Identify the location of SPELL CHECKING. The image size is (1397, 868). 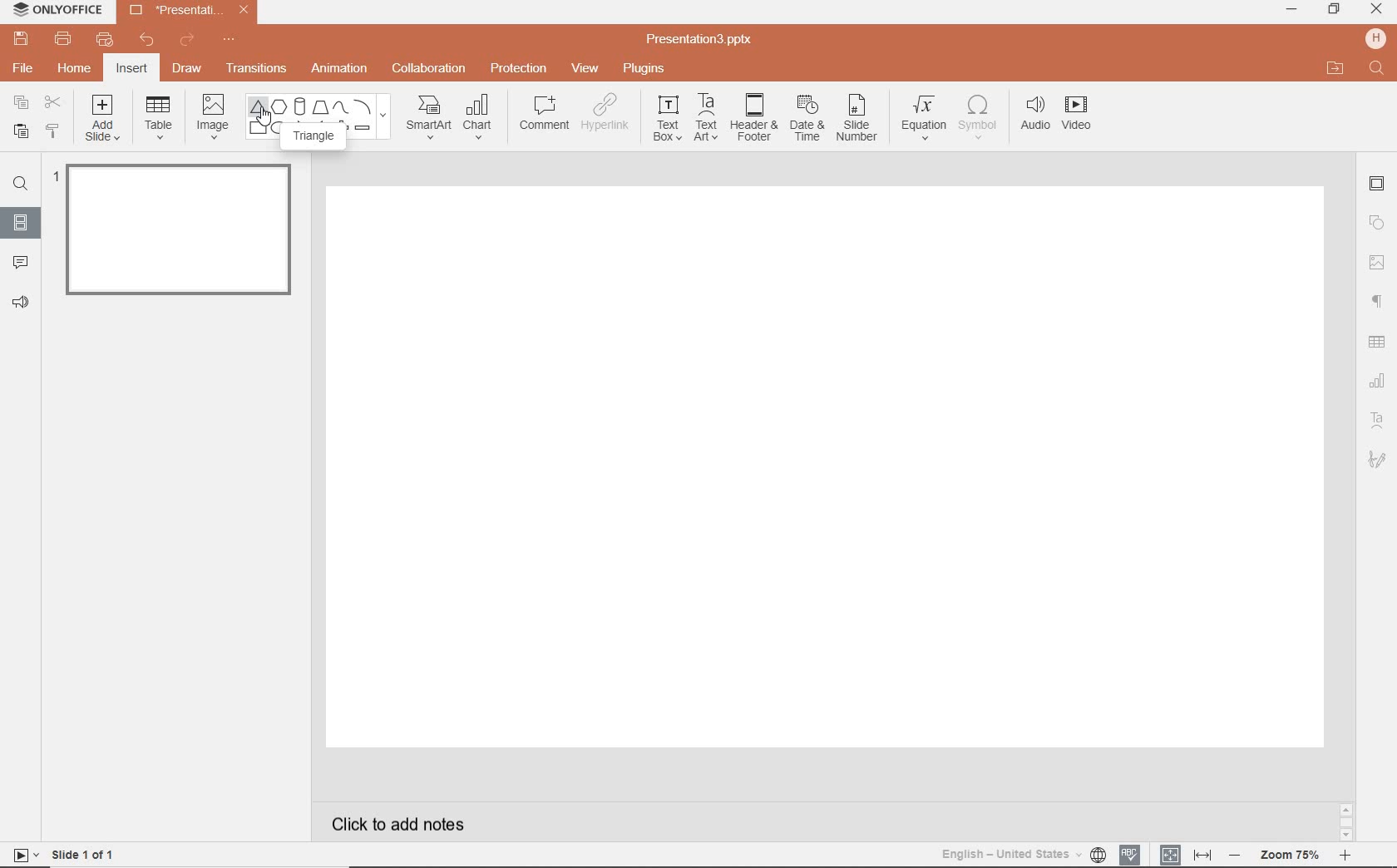
(1134, 852).